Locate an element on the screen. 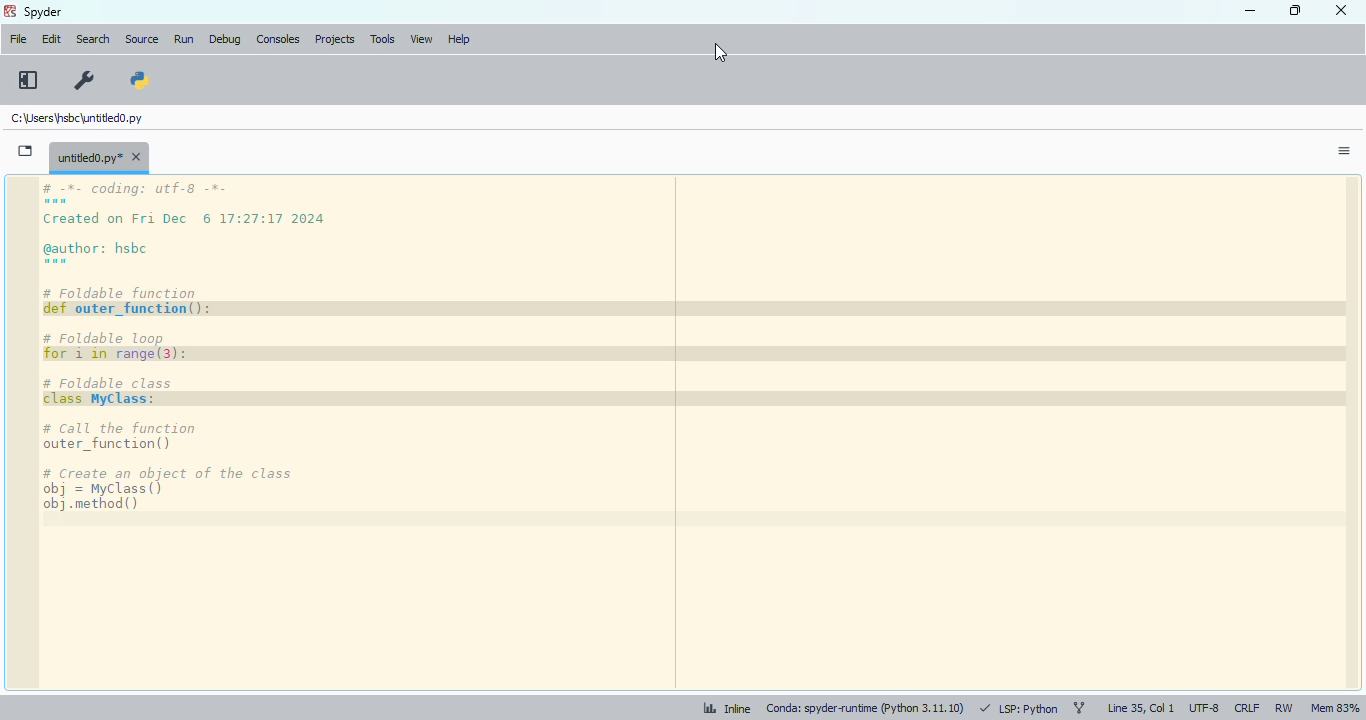 The image size is (1366, 720). line 35, col 1 is located at coordinates (1140, 708).